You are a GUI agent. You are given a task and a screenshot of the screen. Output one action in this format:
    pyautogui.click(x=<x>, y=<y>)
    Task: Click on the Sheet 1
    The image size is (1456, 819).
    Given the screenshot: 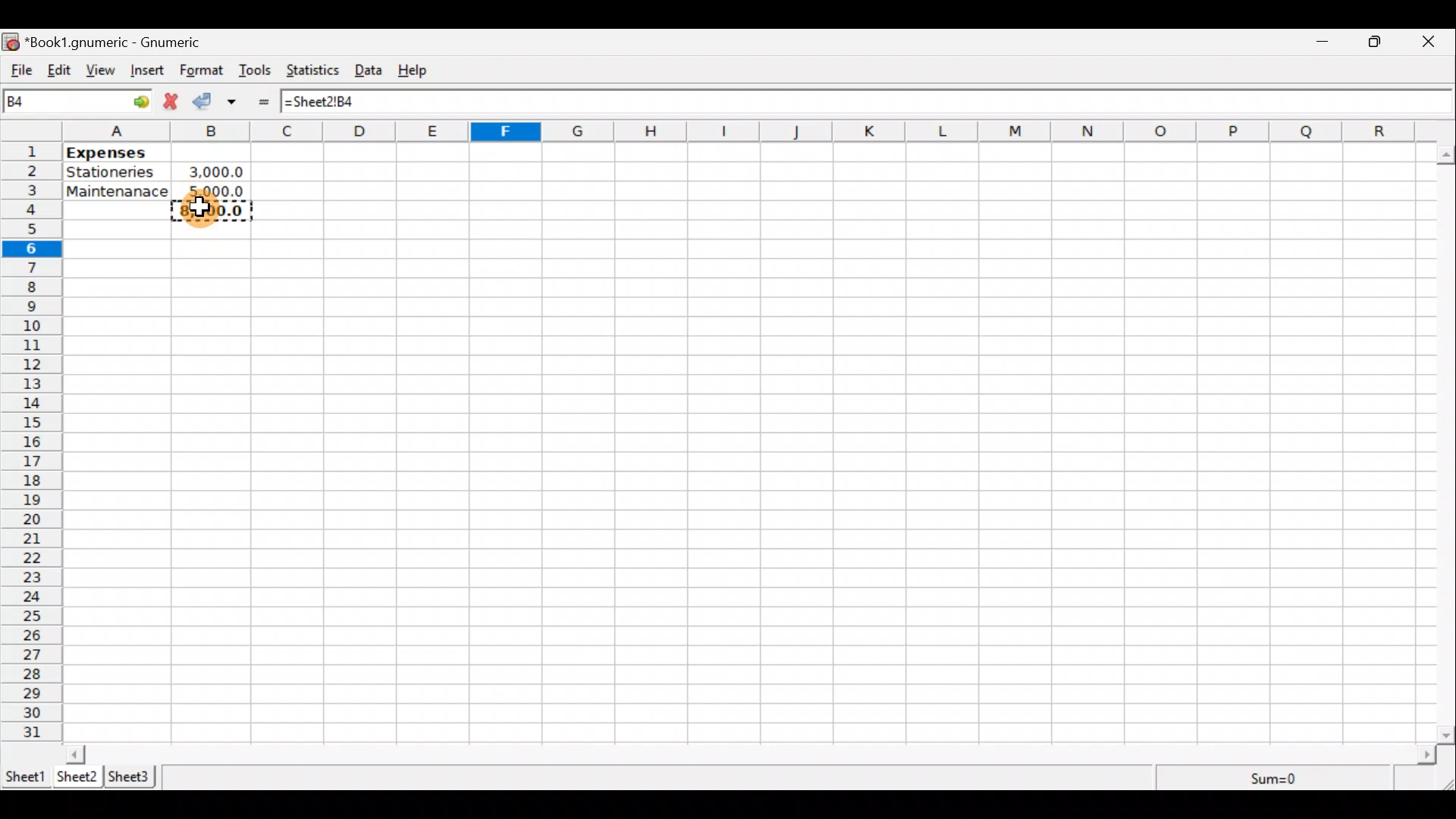 What is the action you would take?
    pyautogui.click(x=26, y=775)
    